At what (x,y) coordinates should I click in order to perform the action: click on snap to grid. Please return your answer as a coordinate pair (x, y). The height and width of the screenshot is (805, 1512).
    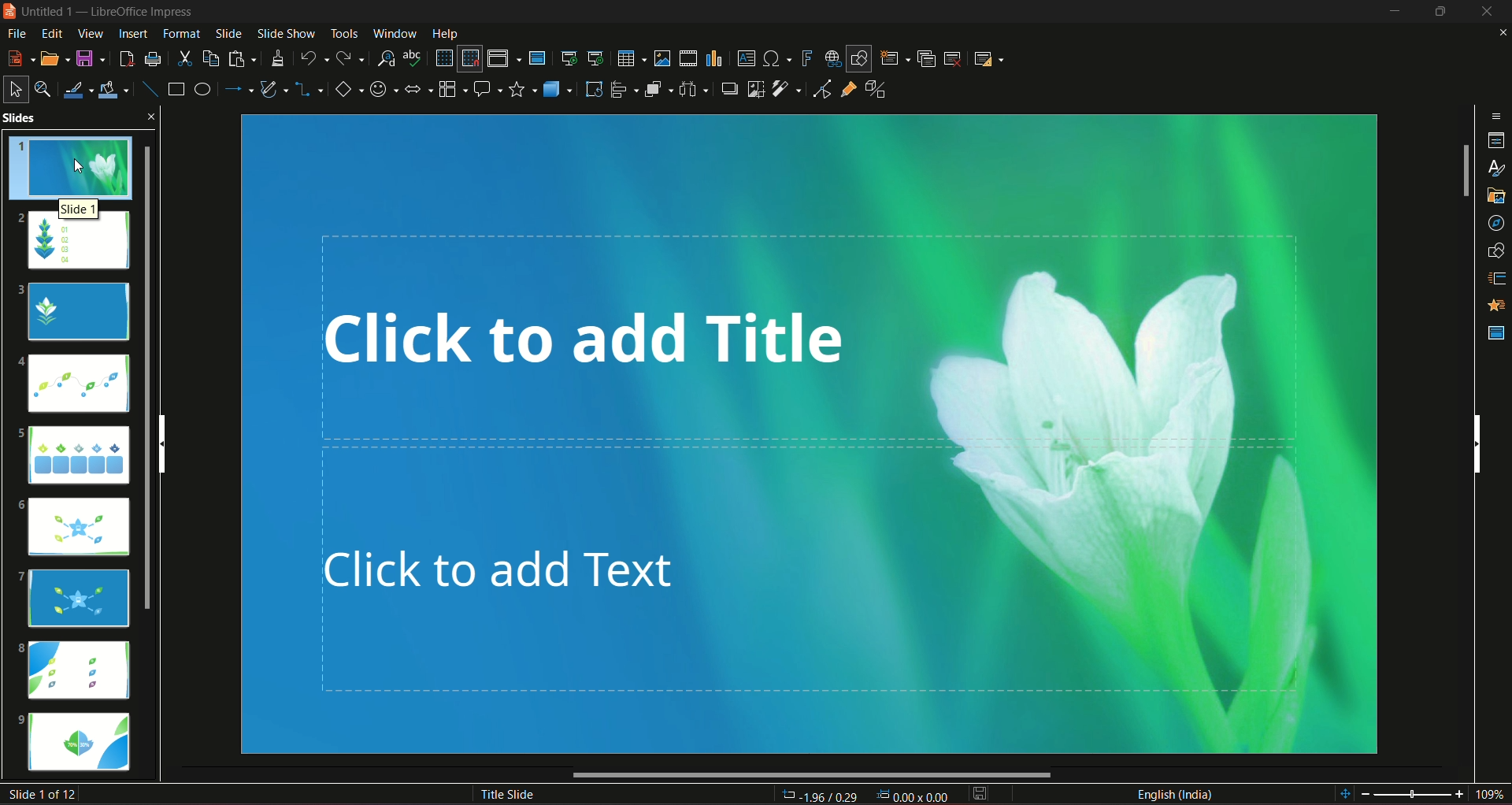
    Looking at the image, I should click on (470, 60).